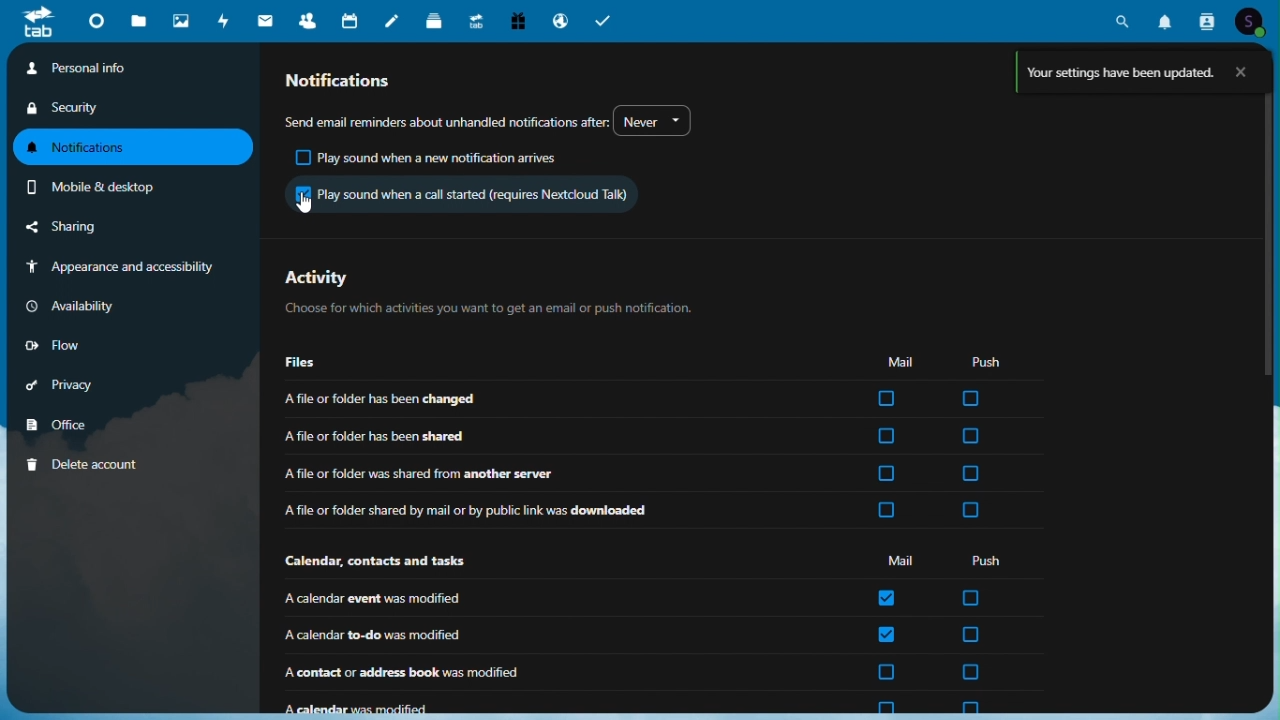 The width and height of the screenshot is (1280, 720). What do you see at coordinates (888, 474) in the screenshot?
I see `check box` at bounding box center [888, 474].